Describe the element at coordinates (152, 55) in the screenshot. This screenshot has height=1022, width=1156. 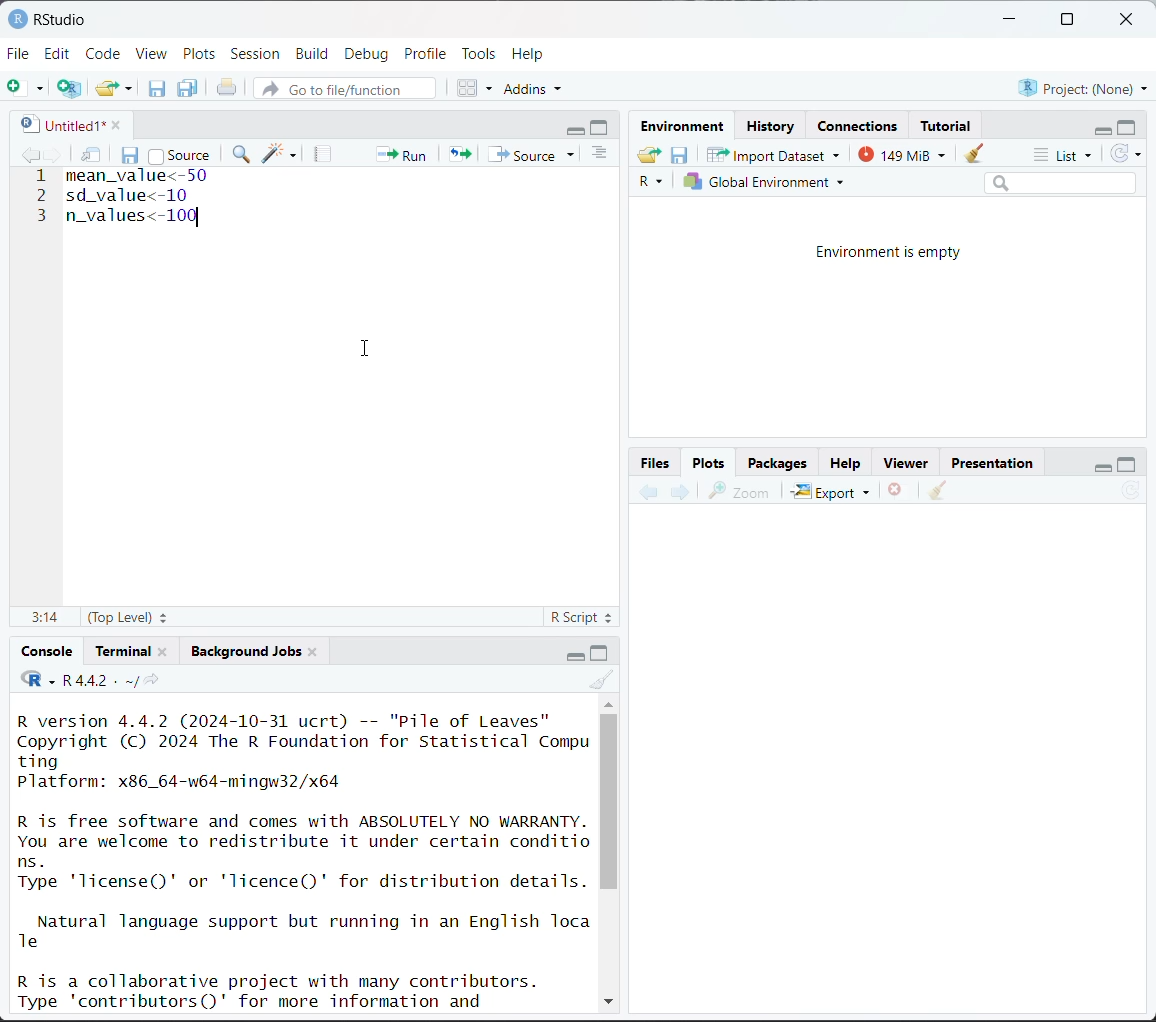
I see `View` at that location.